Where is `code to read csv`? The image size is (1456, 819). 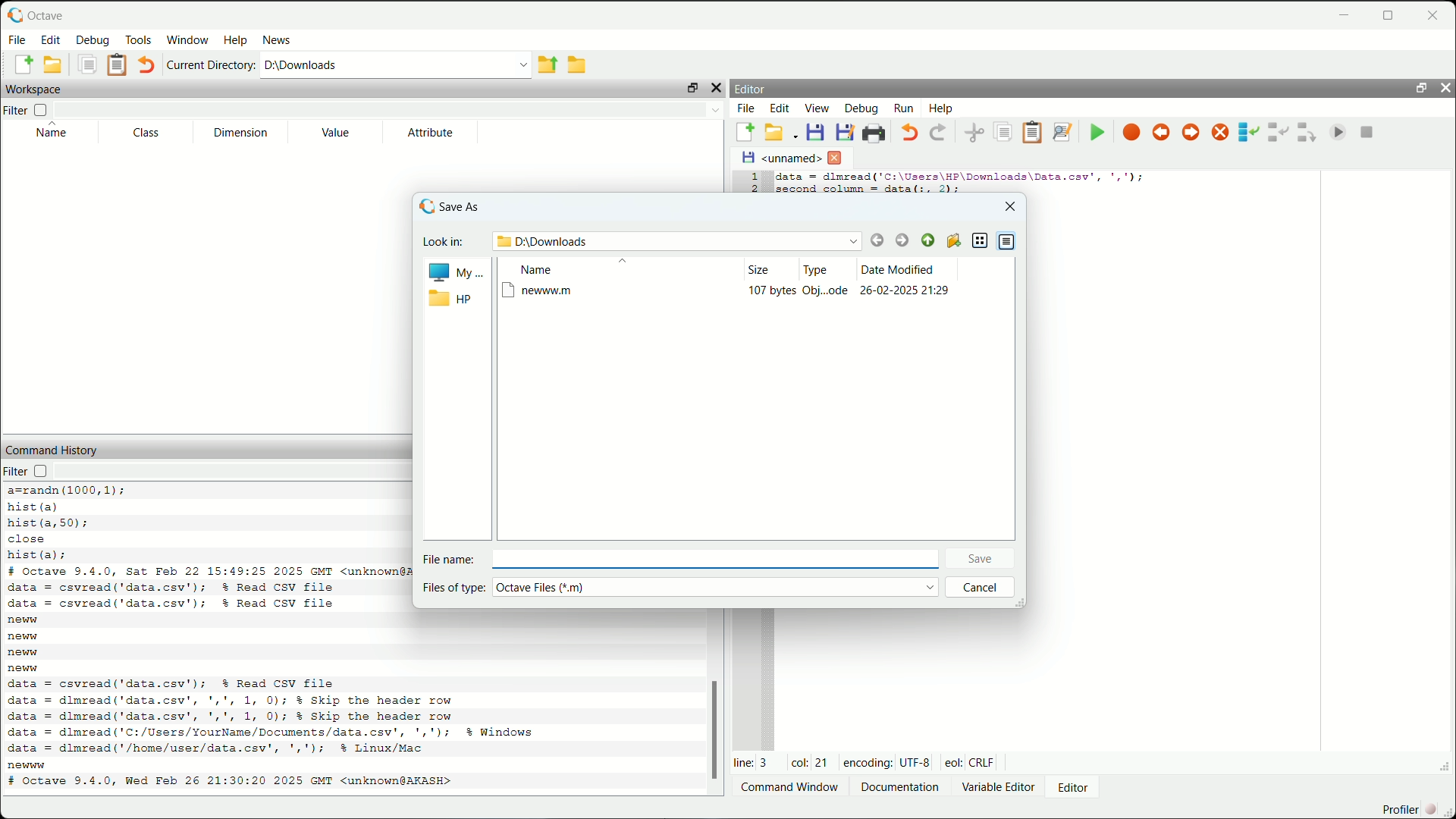
code to read csv is located at coordinates (197, 595).